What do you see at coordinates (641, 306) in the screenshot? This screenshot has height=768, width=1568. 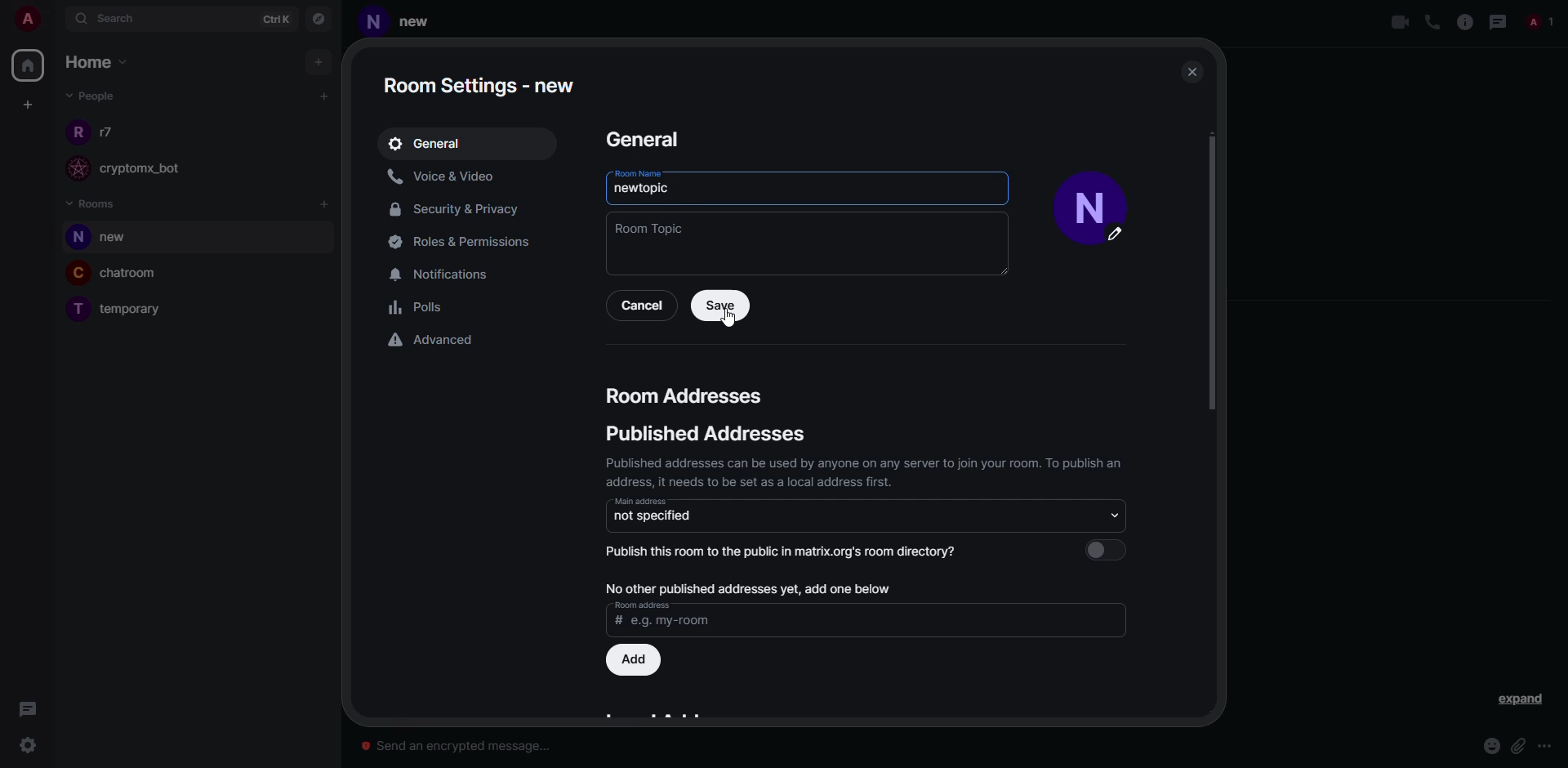 I see `cancel` at bounding box center [641, 306].